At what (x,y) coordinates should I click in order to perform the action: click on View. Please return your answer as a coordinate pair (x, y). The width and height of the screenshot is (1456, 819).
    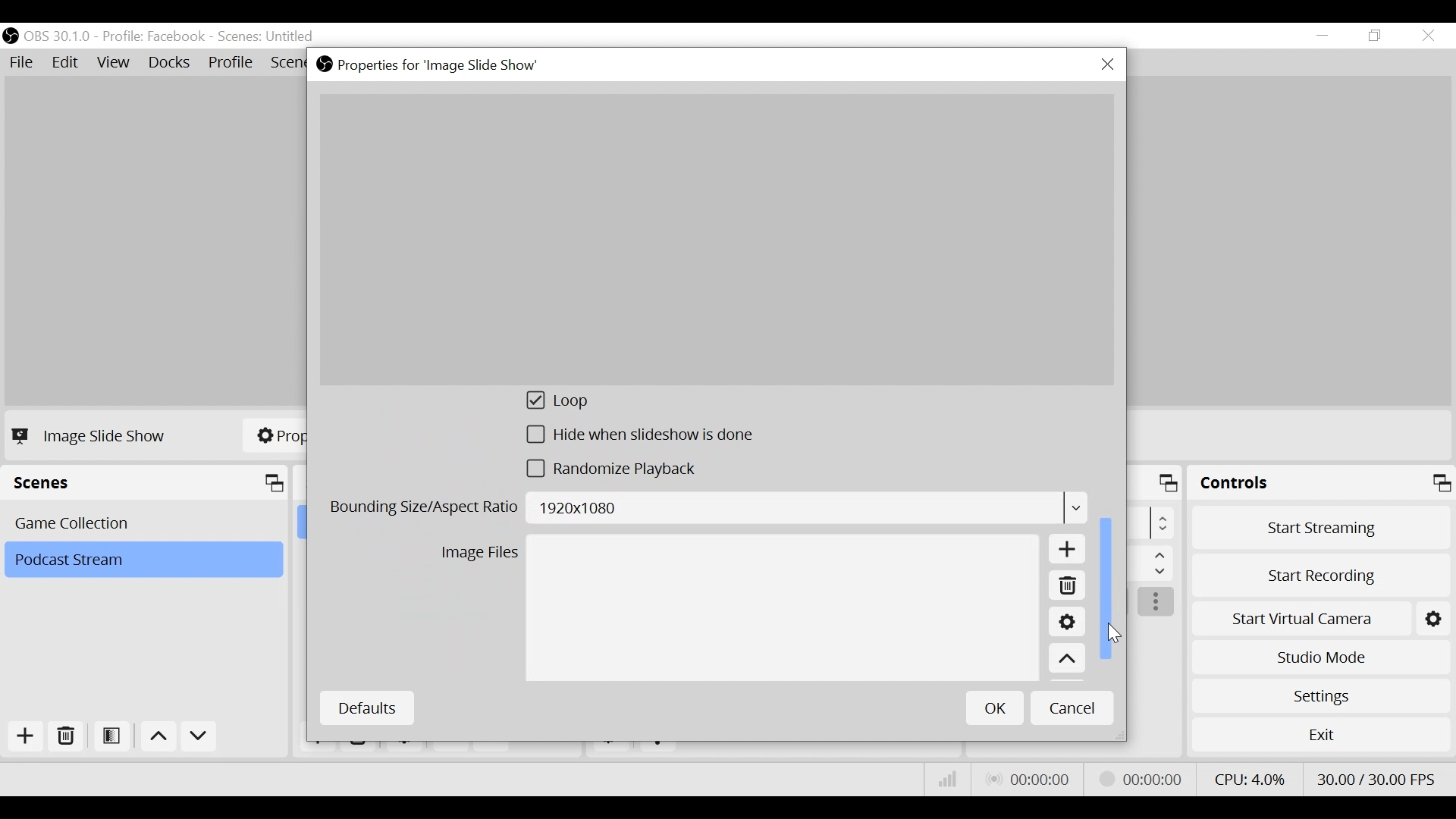
    Looking at the image, I should click on (116, 64).